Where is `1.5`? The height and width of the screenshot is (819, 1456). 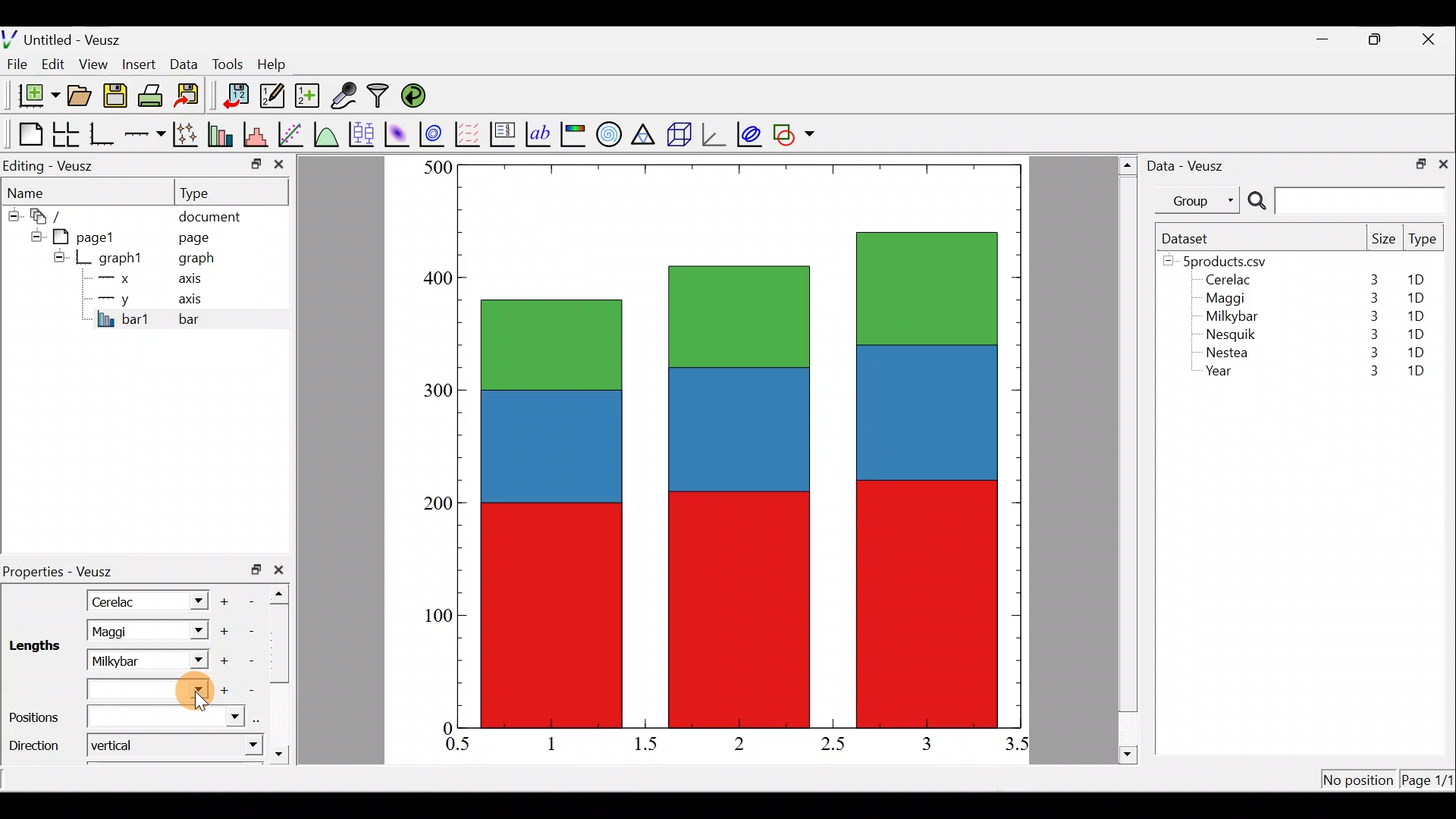 1.5 is located at coordinates (649, 745).